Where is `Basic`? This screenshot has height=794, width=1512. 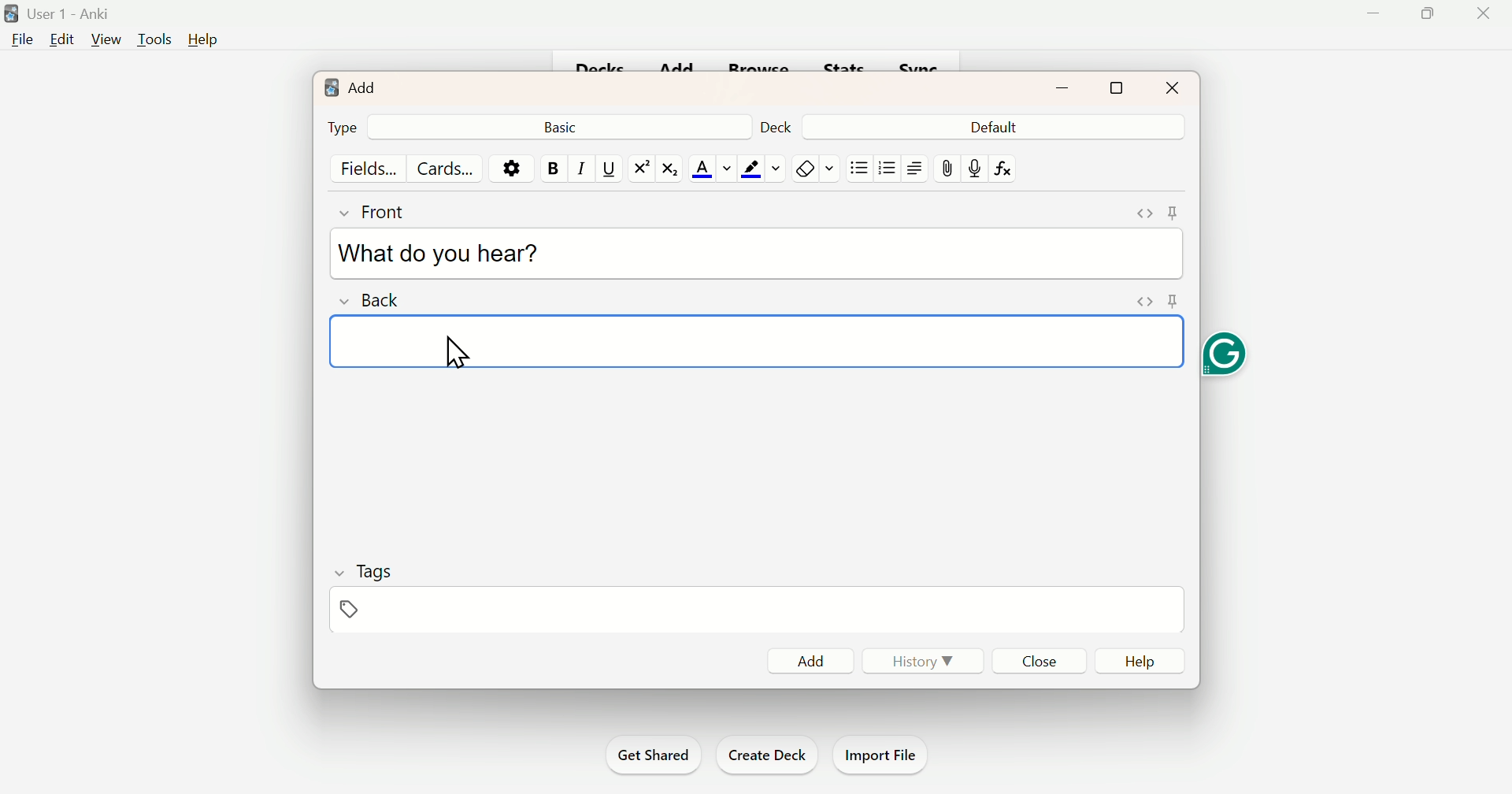
Basic is located at coordinates (566, 127).